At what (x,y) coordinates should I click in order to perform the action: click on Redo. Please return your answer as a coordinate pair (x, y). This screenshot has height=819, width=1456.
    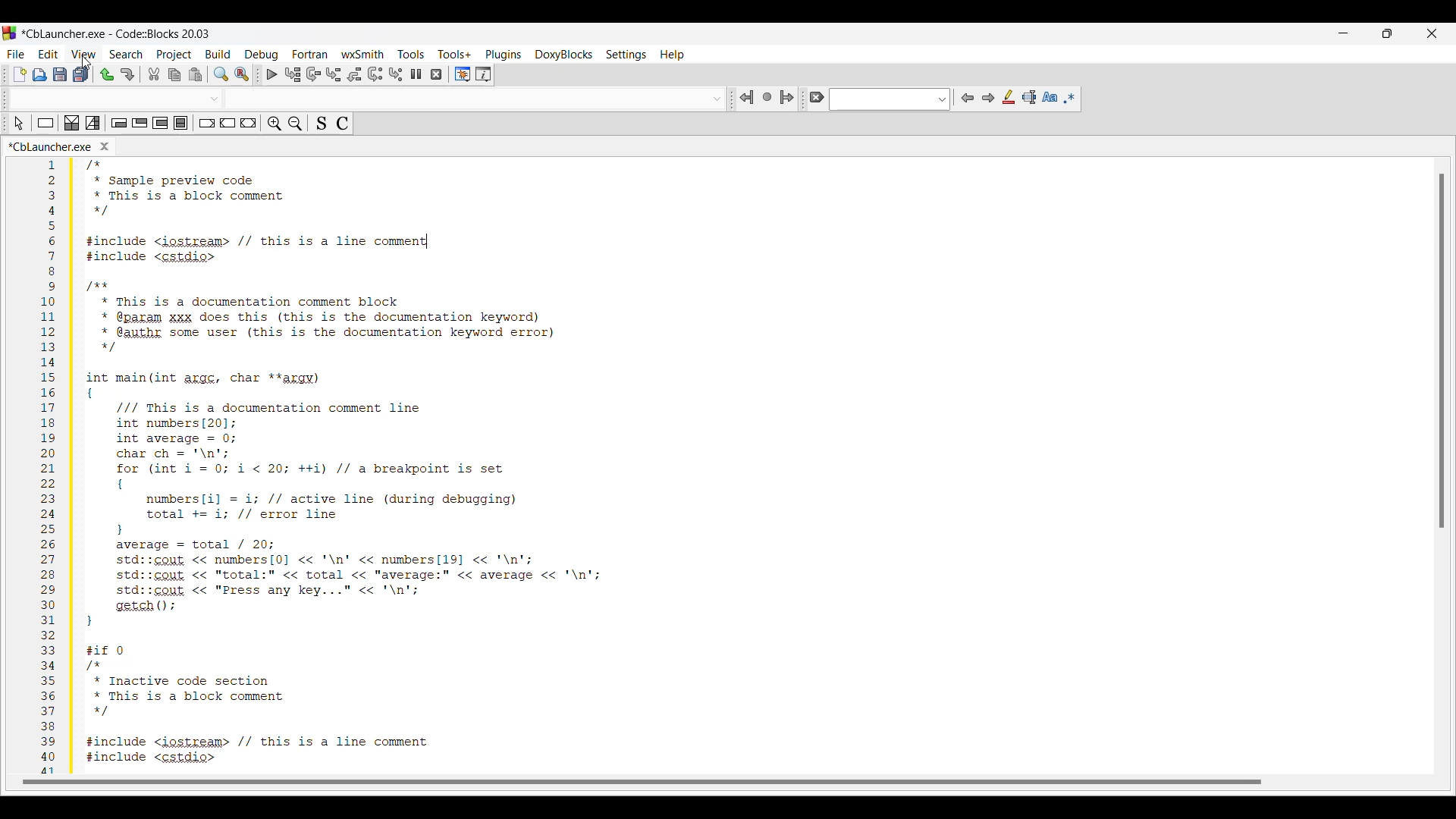
    Looking at the image, I should click on (127, 74).